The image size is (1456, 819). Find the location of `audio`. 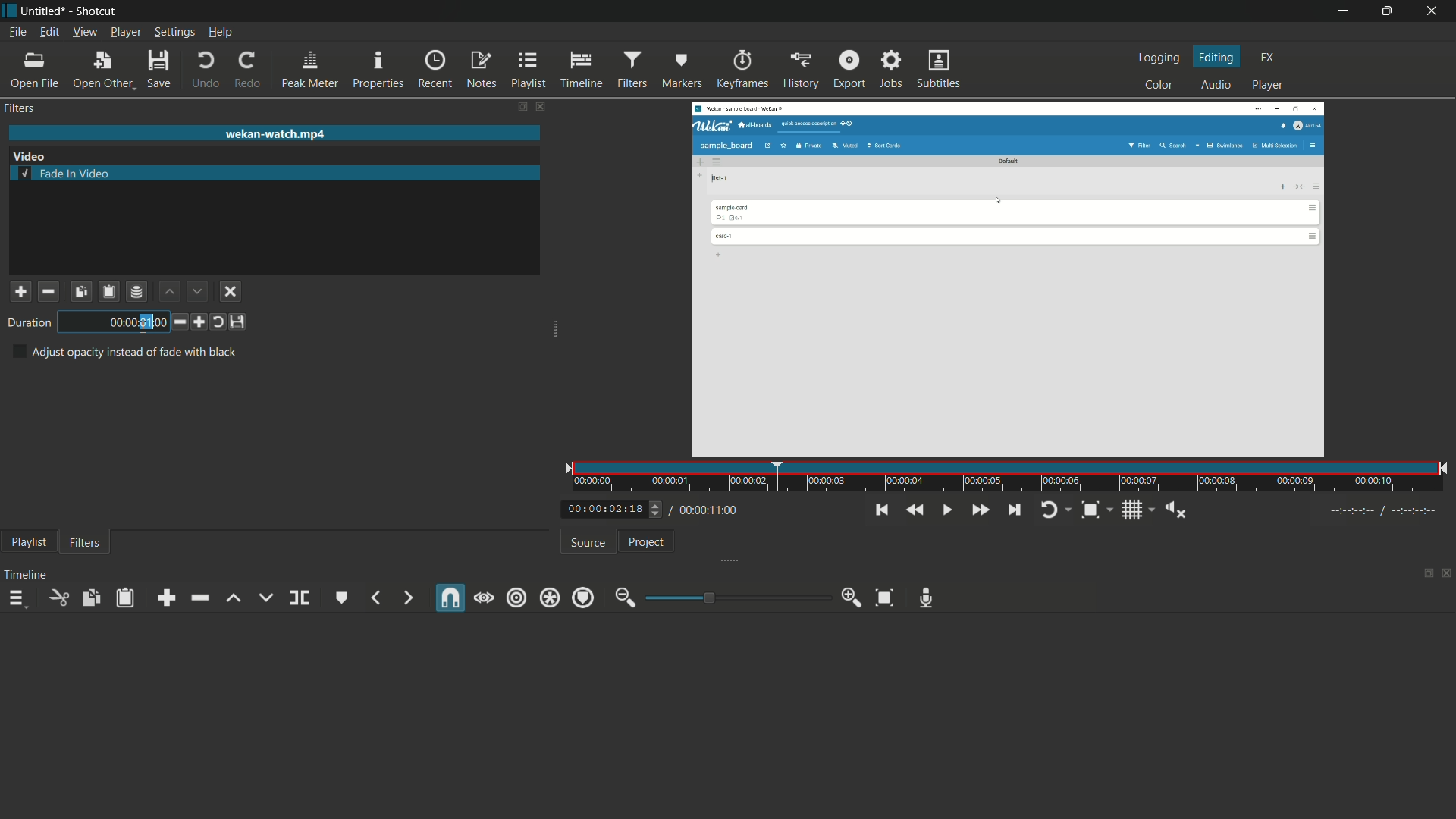

audio is located at coordinates (1216, 86).